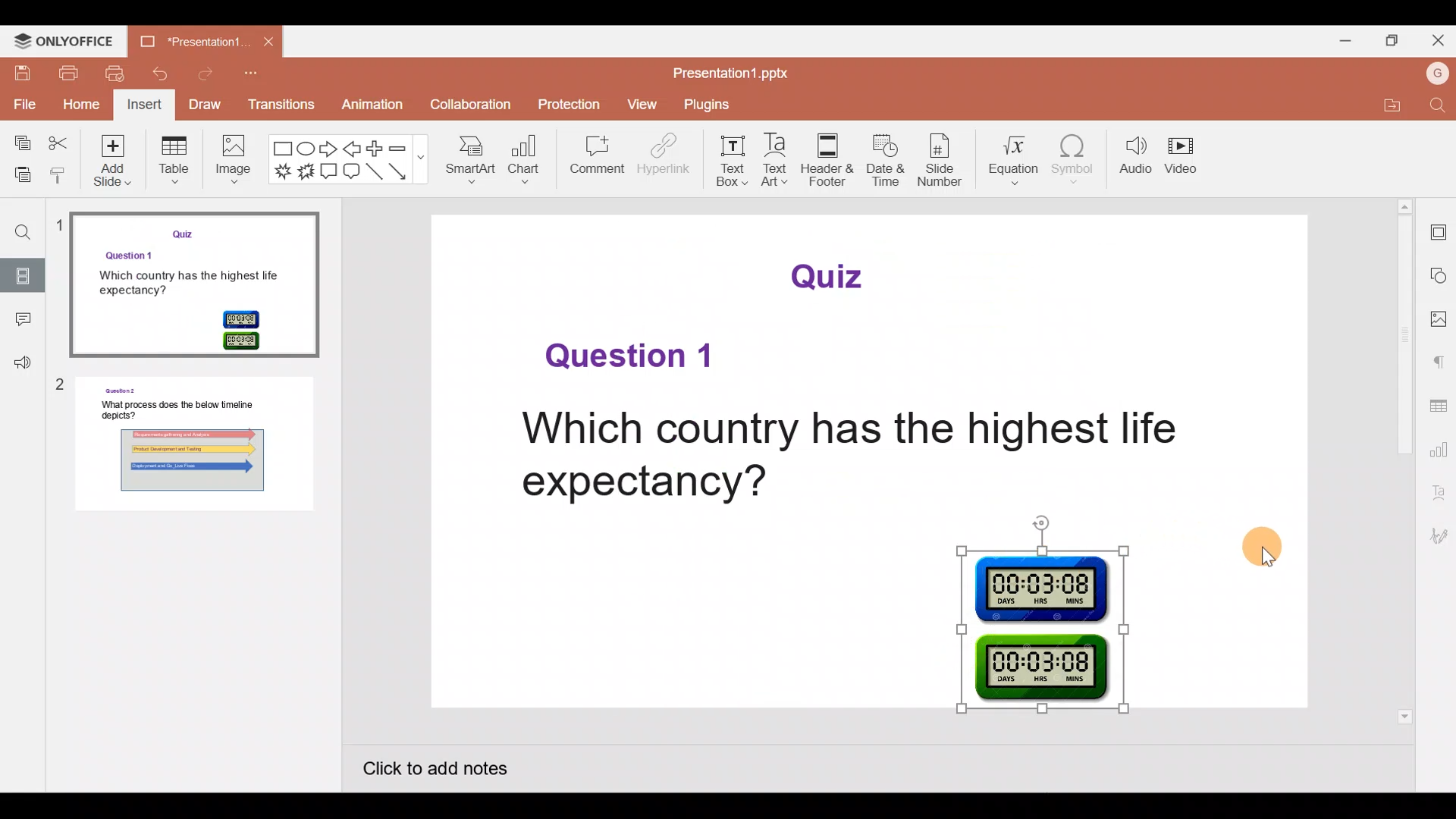 This screenshot has height=819, width=1456. I want to click on Find, so click(18, 227).